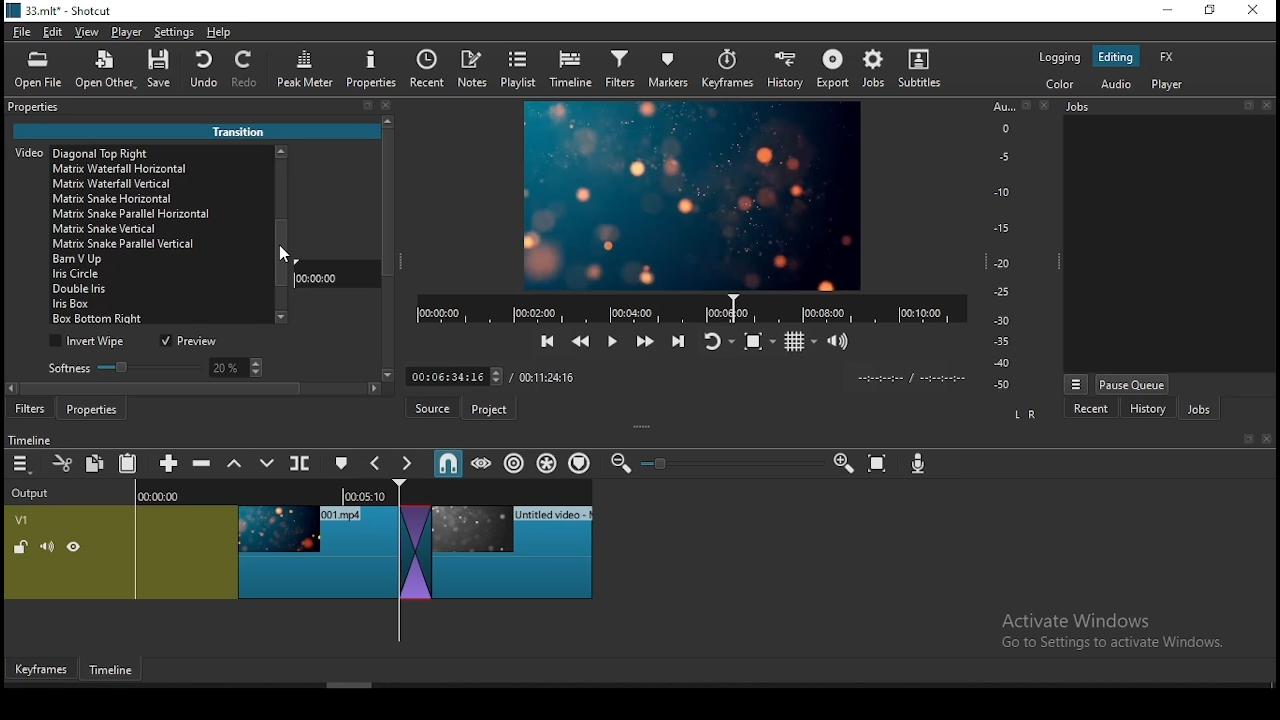  Describe the element at coordinates (1252, 11) in the screenshot. I see `close window` at that location.